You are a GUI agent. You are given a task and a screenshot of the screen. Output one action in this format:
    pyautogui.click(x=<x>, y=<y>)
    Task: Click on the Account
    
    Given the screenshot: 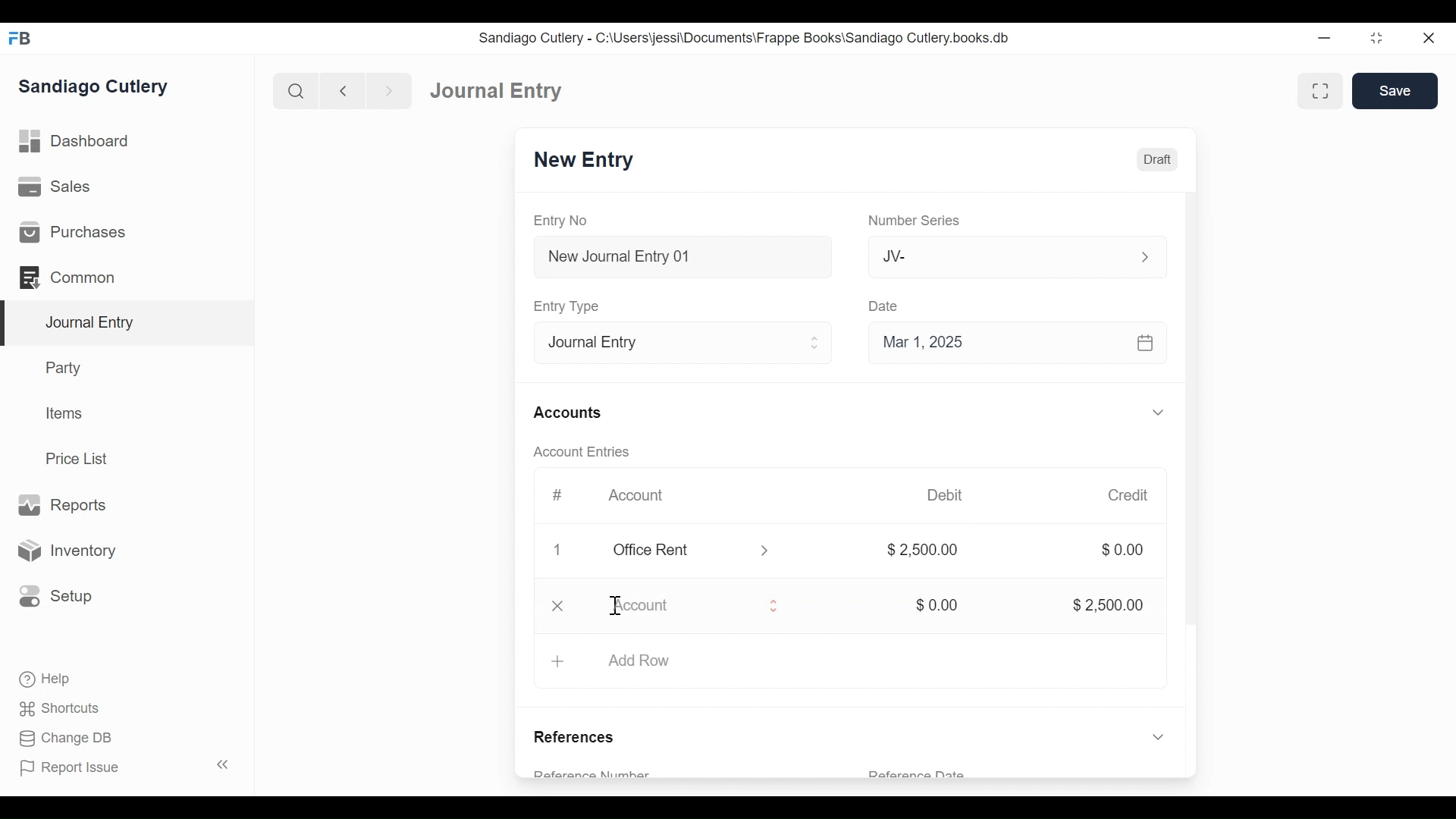 What is the action you would take?
    pyautogui.click(x=635, y=496)
    